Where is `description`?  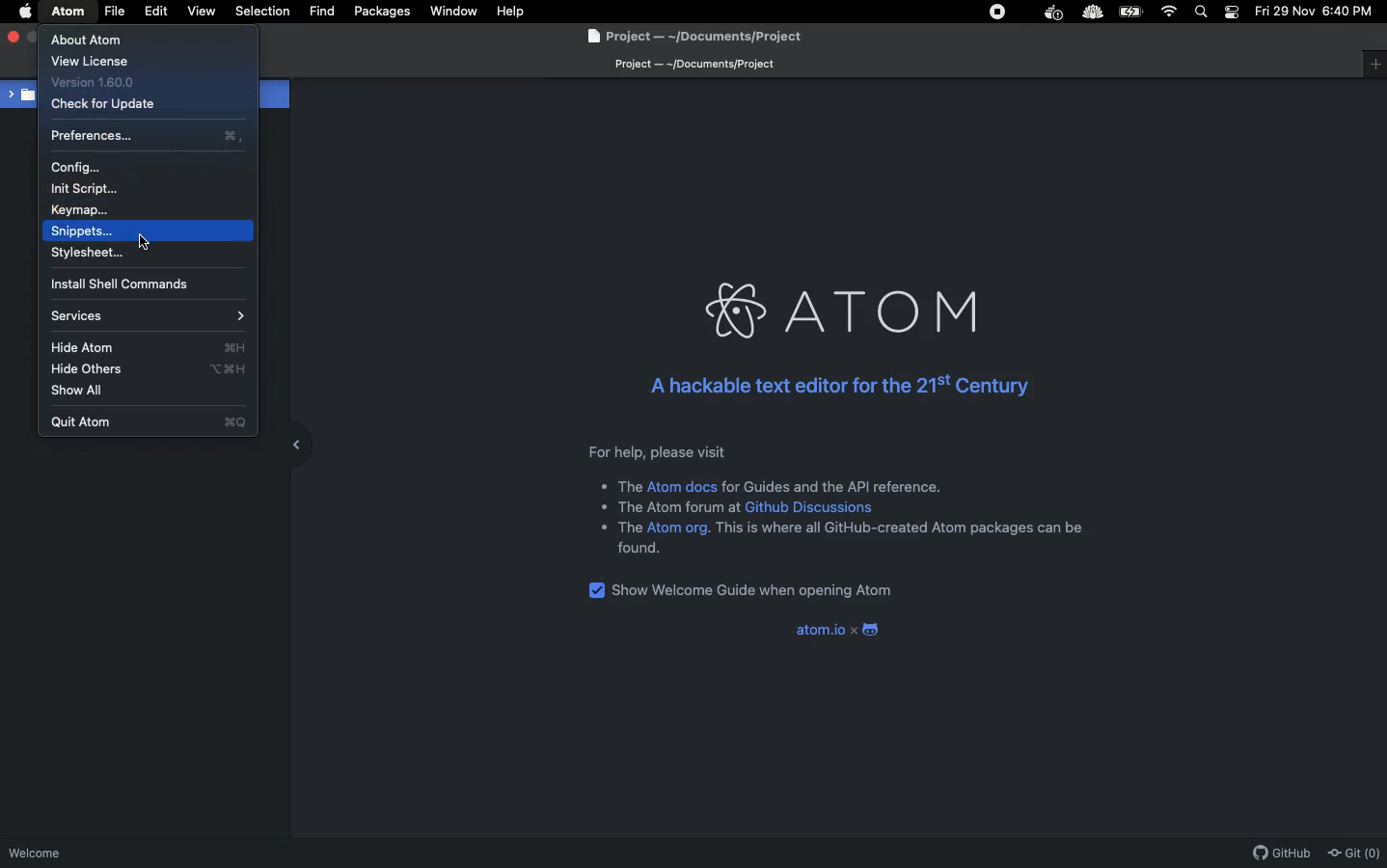
description is located at coordinates (639, 549).